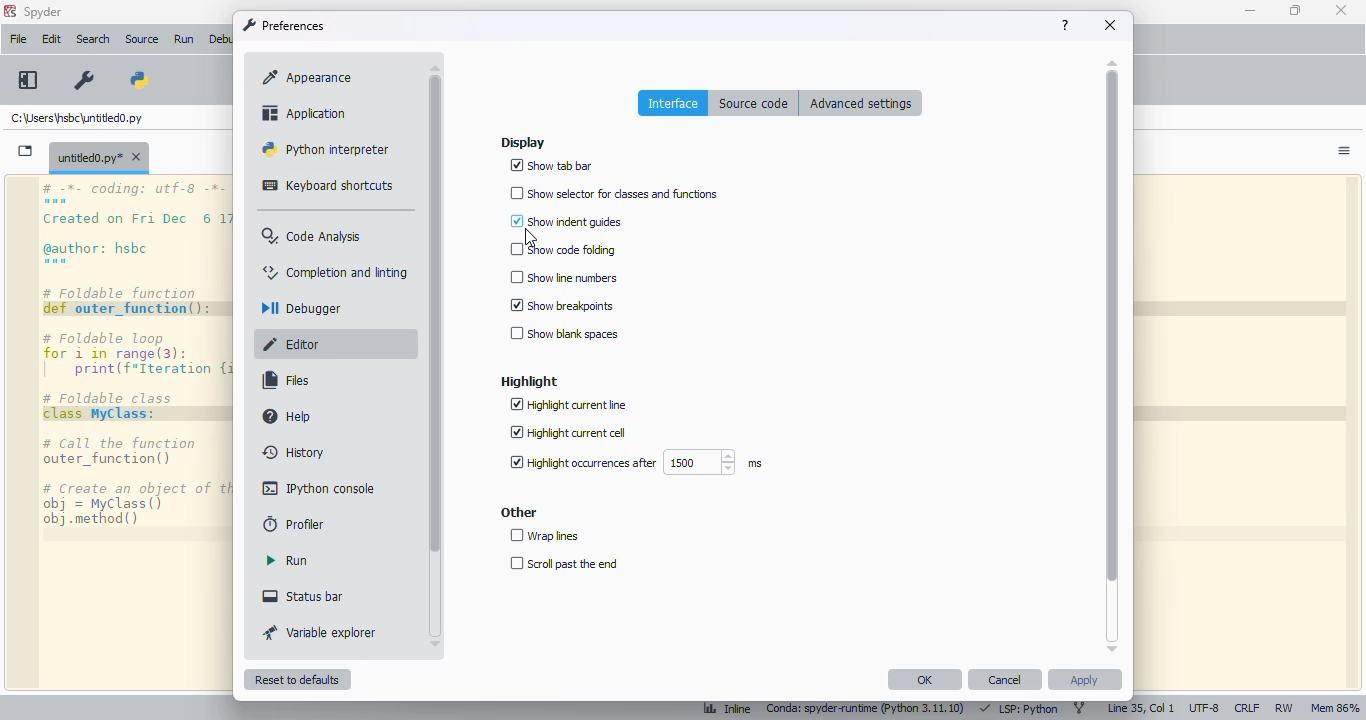 The width and height of the screenshot is (1366, 720). What do you see at coordinates (296, 679) in the screenshot?
I see `reset to defaults` at bounding box center [296, 679].